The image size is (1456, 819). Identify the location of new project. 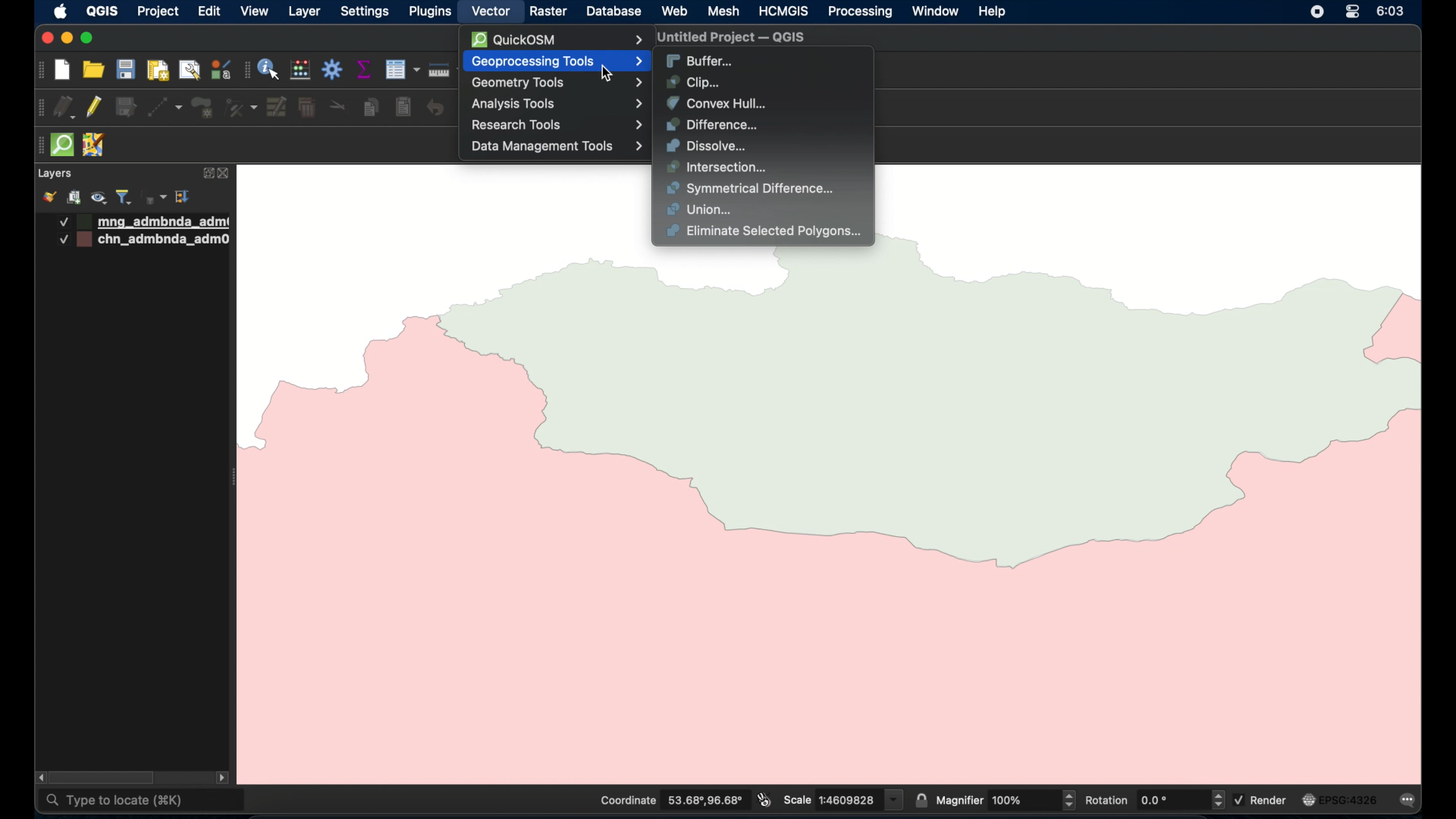
(63, 71).